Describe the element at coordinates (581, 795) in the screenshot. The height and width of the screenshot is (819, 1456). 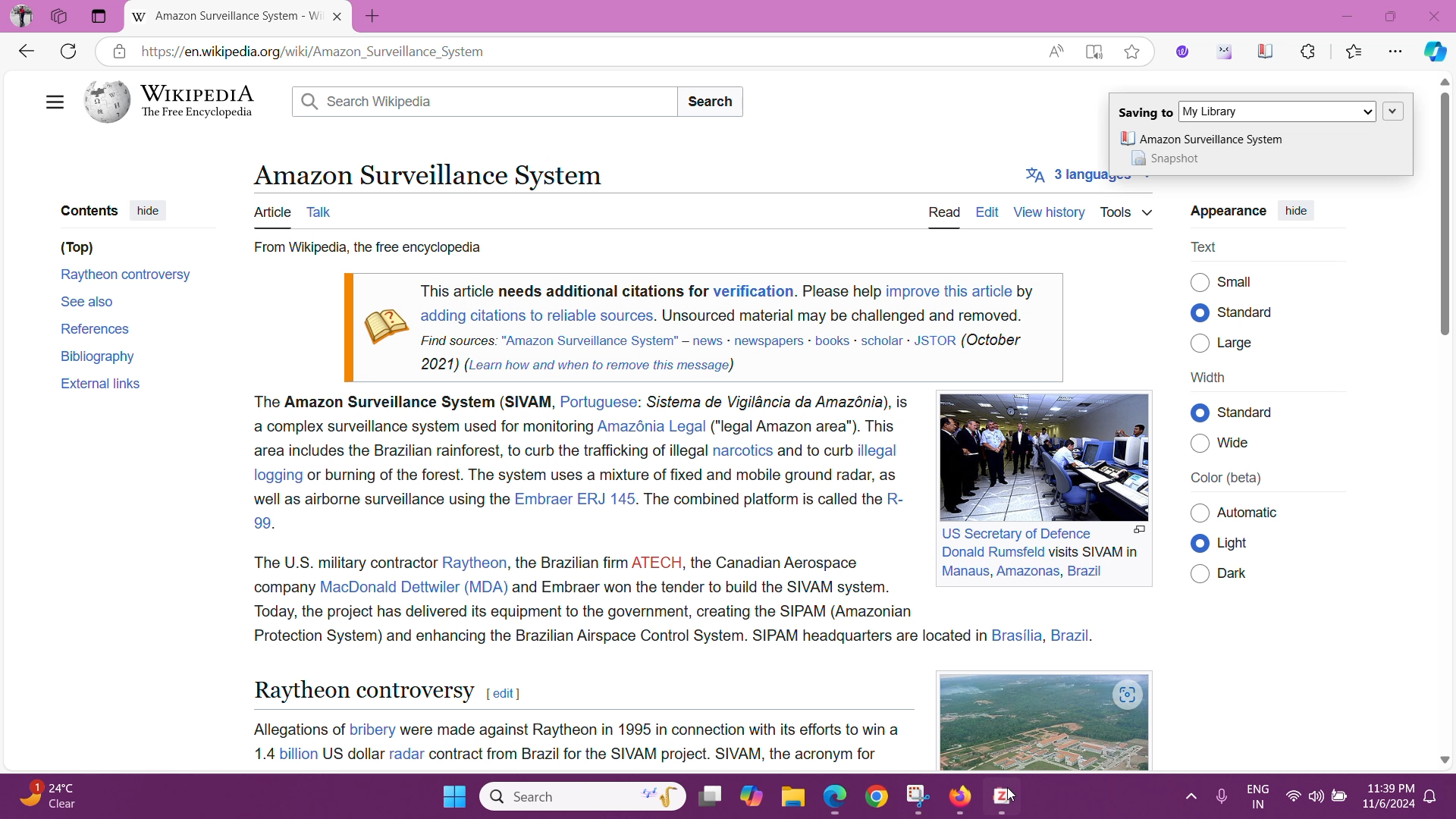
I see `Windows Search` at that location.